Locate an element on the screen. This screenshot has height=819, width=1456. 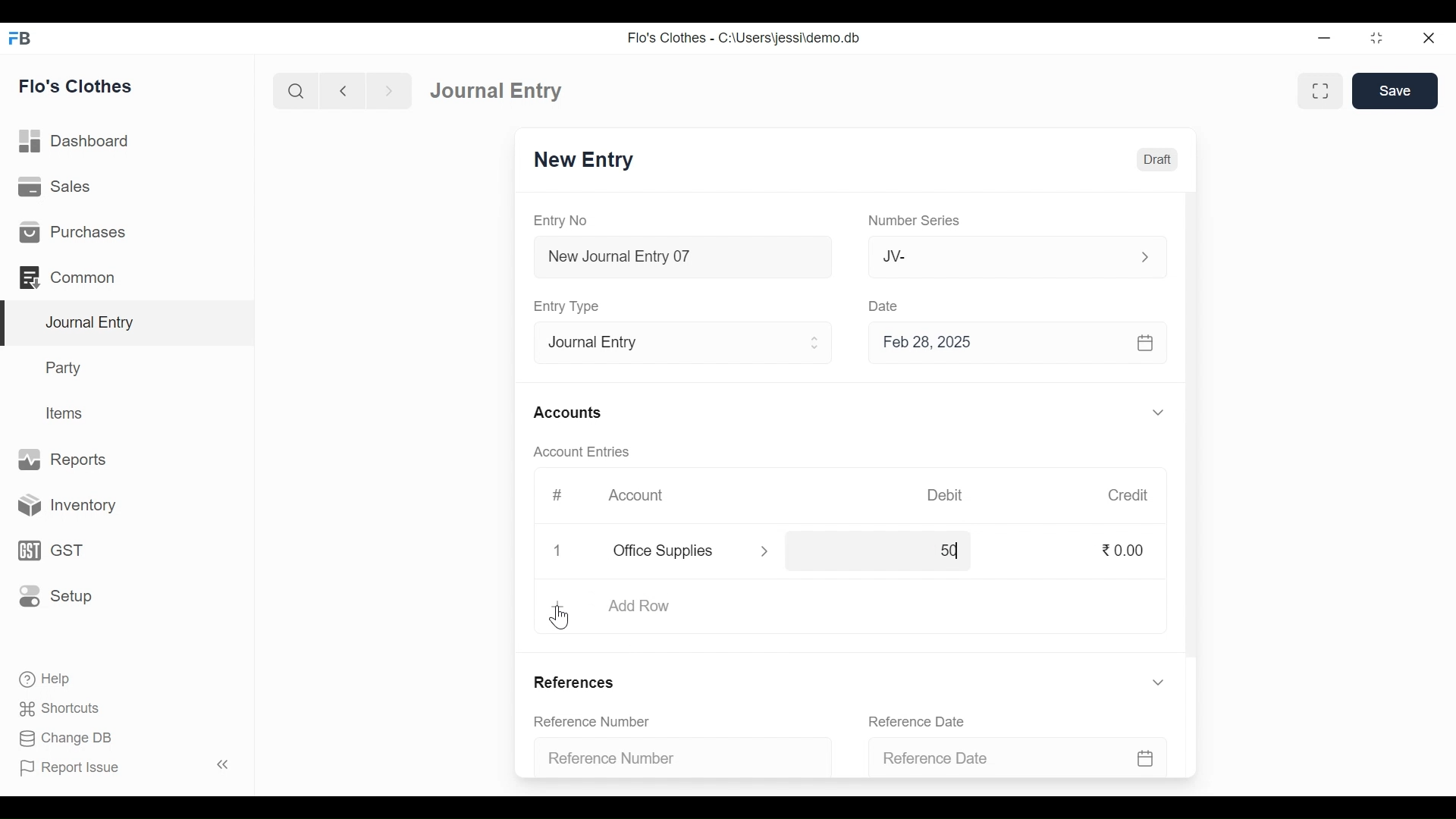
Expand is located at coordinates (817, 343).